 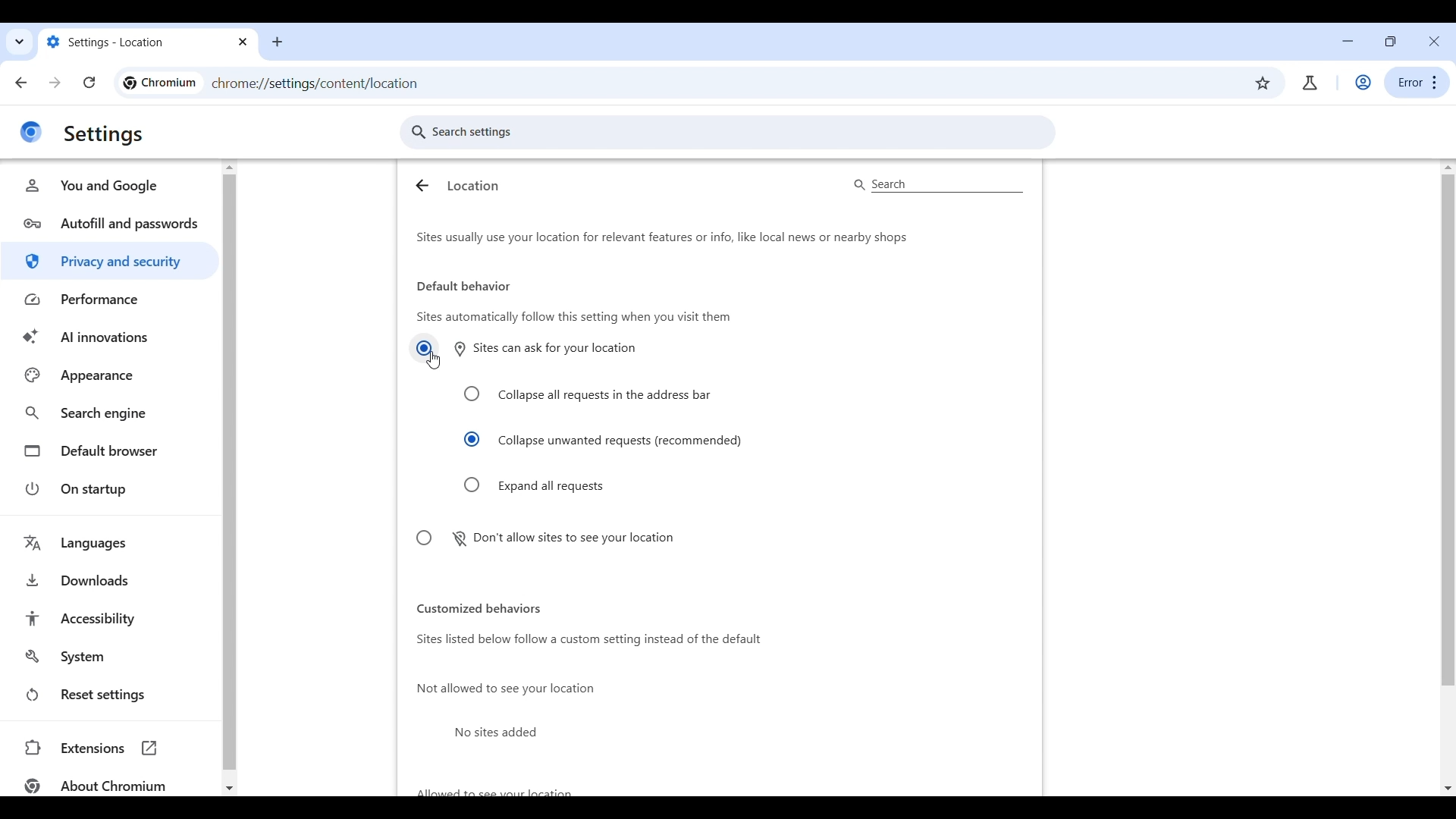 What do you see at coordinates (697, 638) in the screenshot?
I see `sites listed below follow a custom setting instead of the default` at bounding box center [697, 638].